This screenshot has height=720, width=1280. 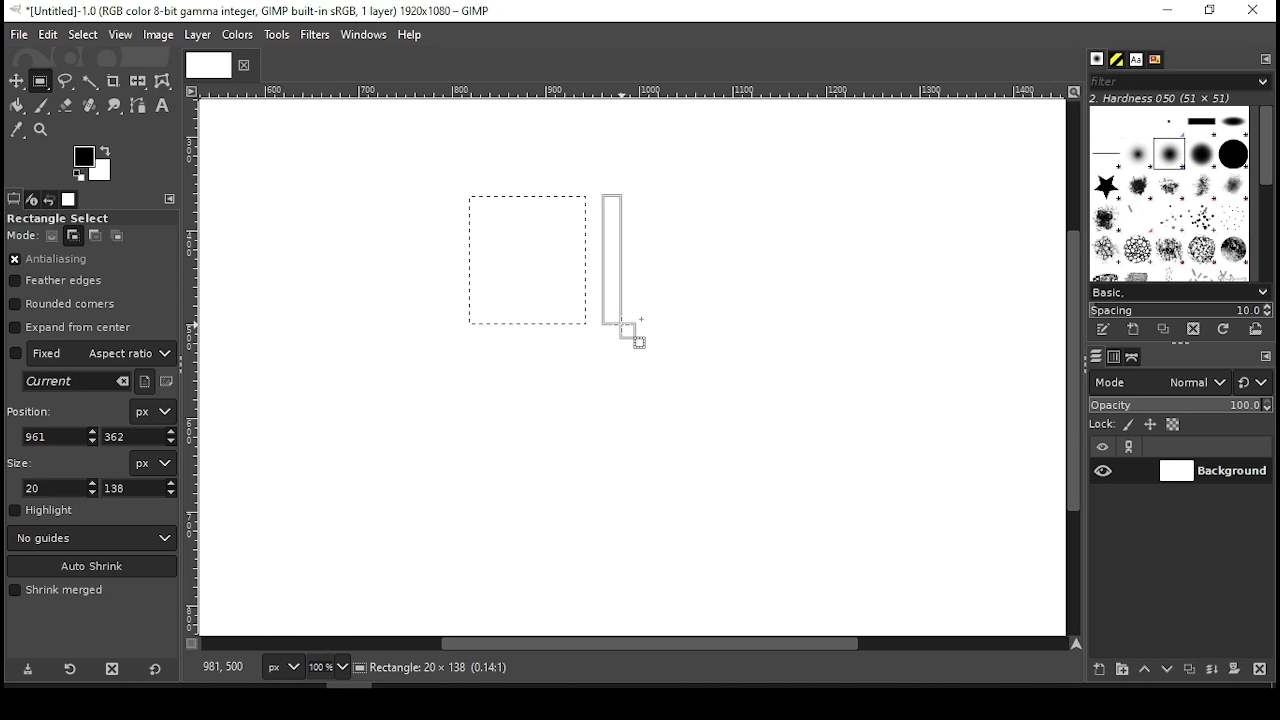 I want to click on antialiasing, so click(x=49, y=260).